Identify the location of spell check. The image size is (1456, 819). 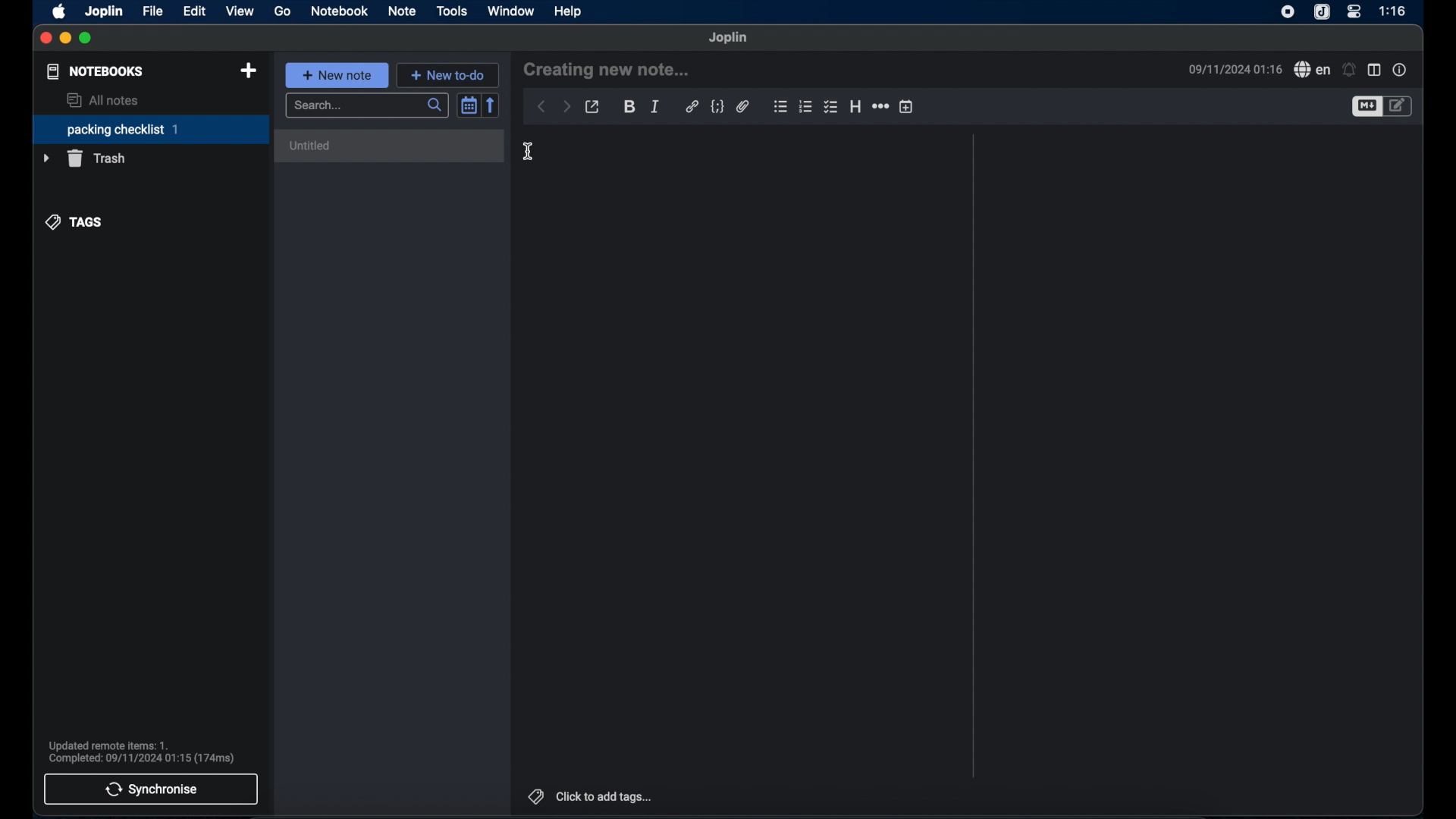
(1312, 70).